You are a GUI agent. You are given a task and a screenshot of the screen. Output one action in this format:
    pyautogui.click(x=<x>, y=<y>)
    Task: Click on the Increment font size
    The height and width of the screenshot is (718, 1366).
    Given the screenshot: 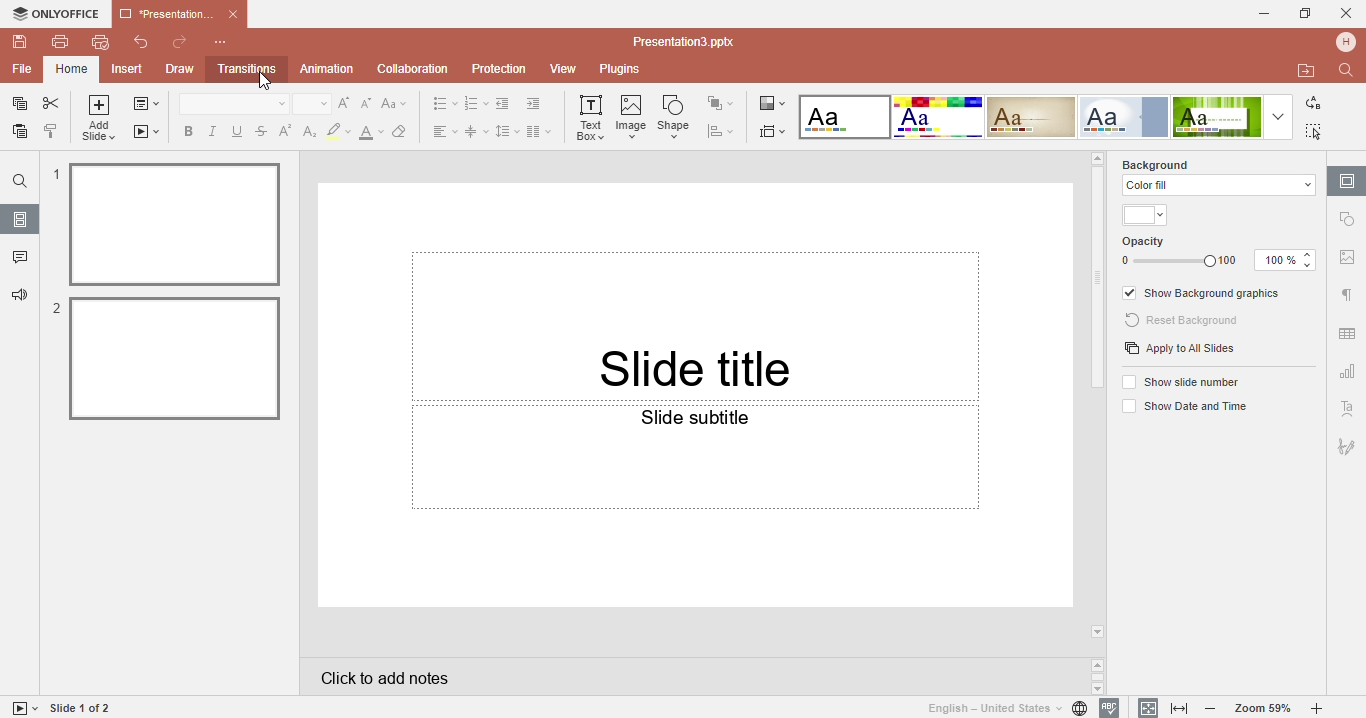 What is the action you would take?
    pyautogui.click(x=347, y=102)
    